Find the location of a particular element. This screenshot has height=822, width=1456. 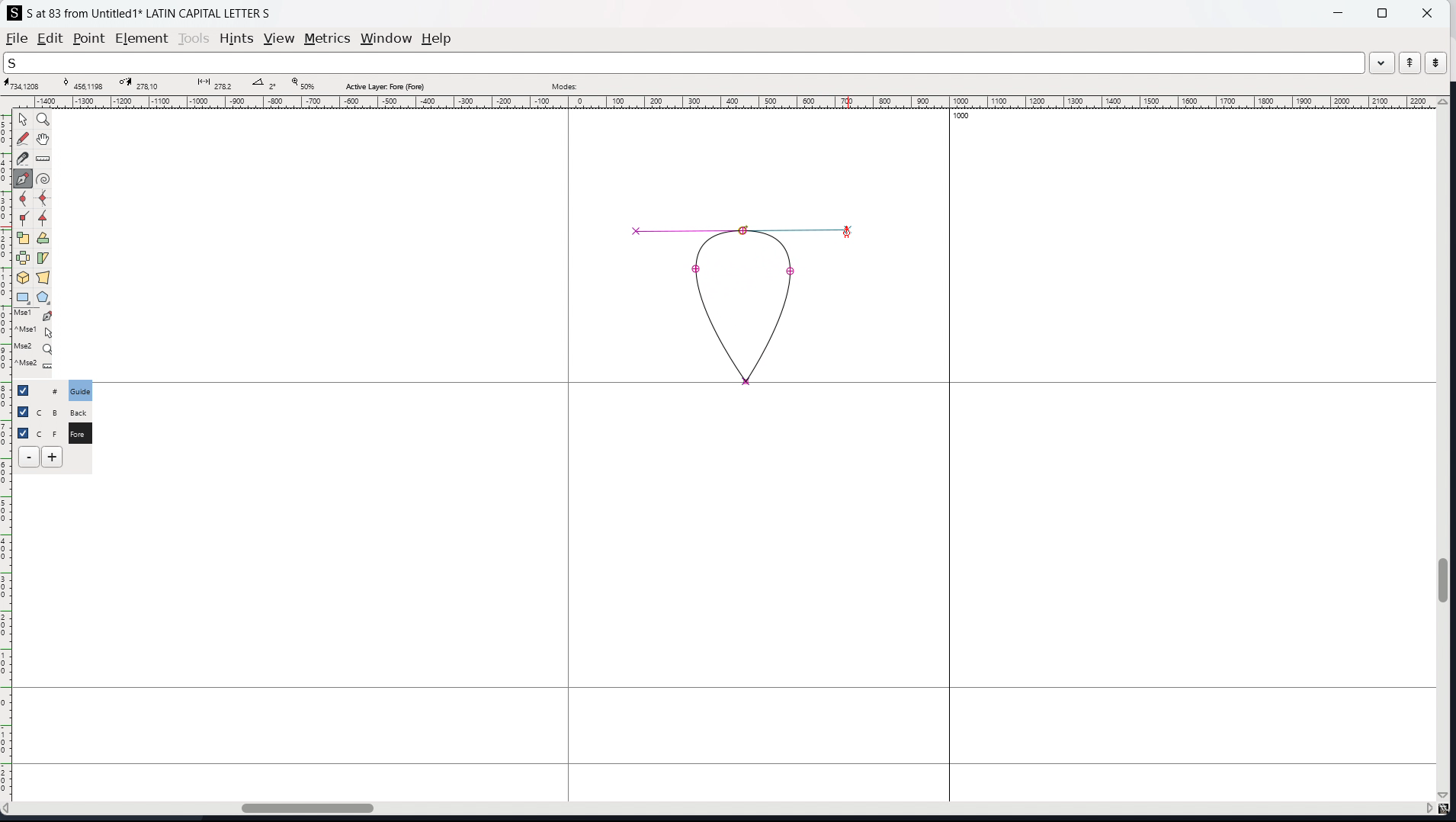

hints is located at coordinates (237, 39).